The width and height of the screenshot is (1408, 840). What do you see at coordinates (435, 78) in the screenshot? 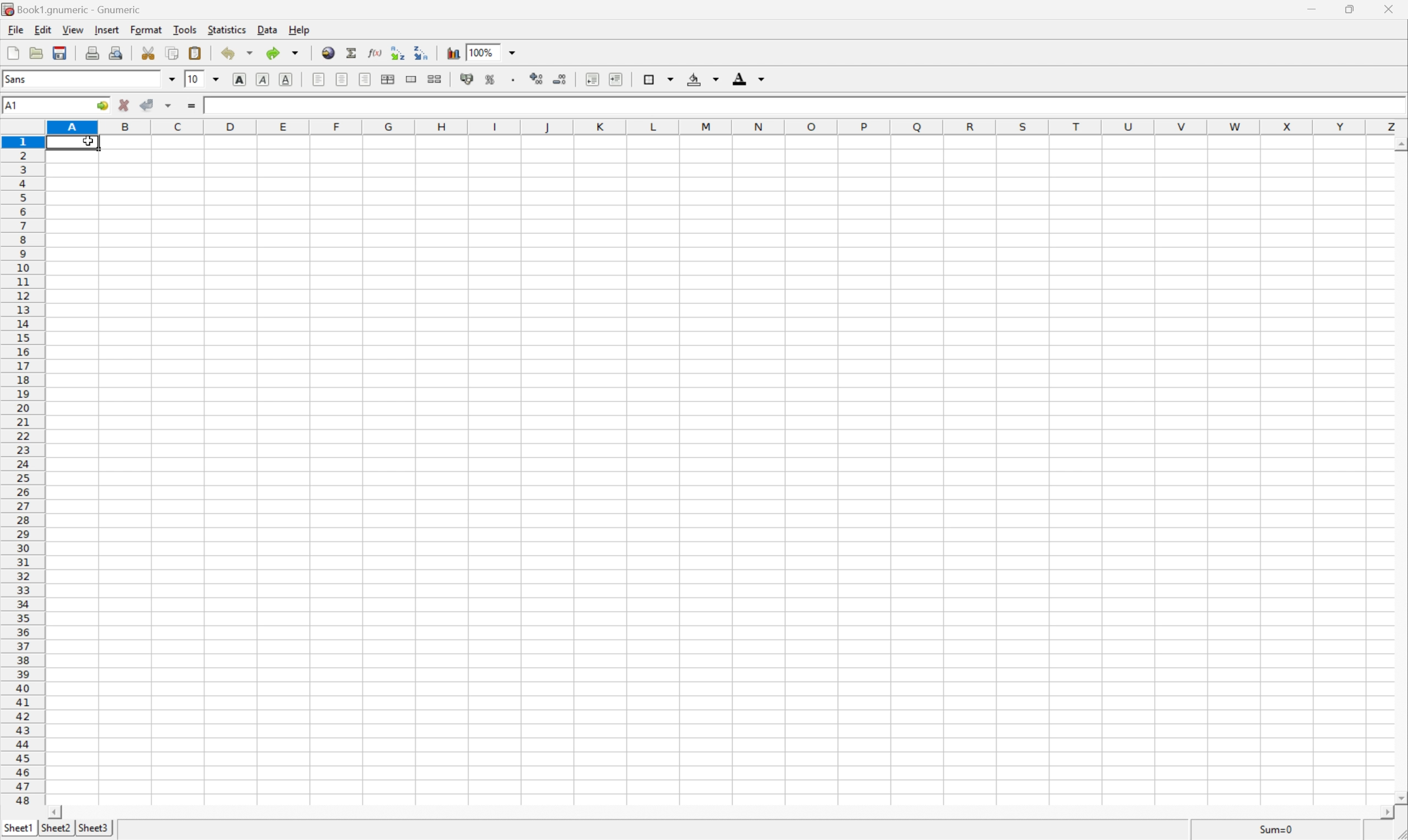
I see `split merged ranges of cells` at bounding box center [435, 78].